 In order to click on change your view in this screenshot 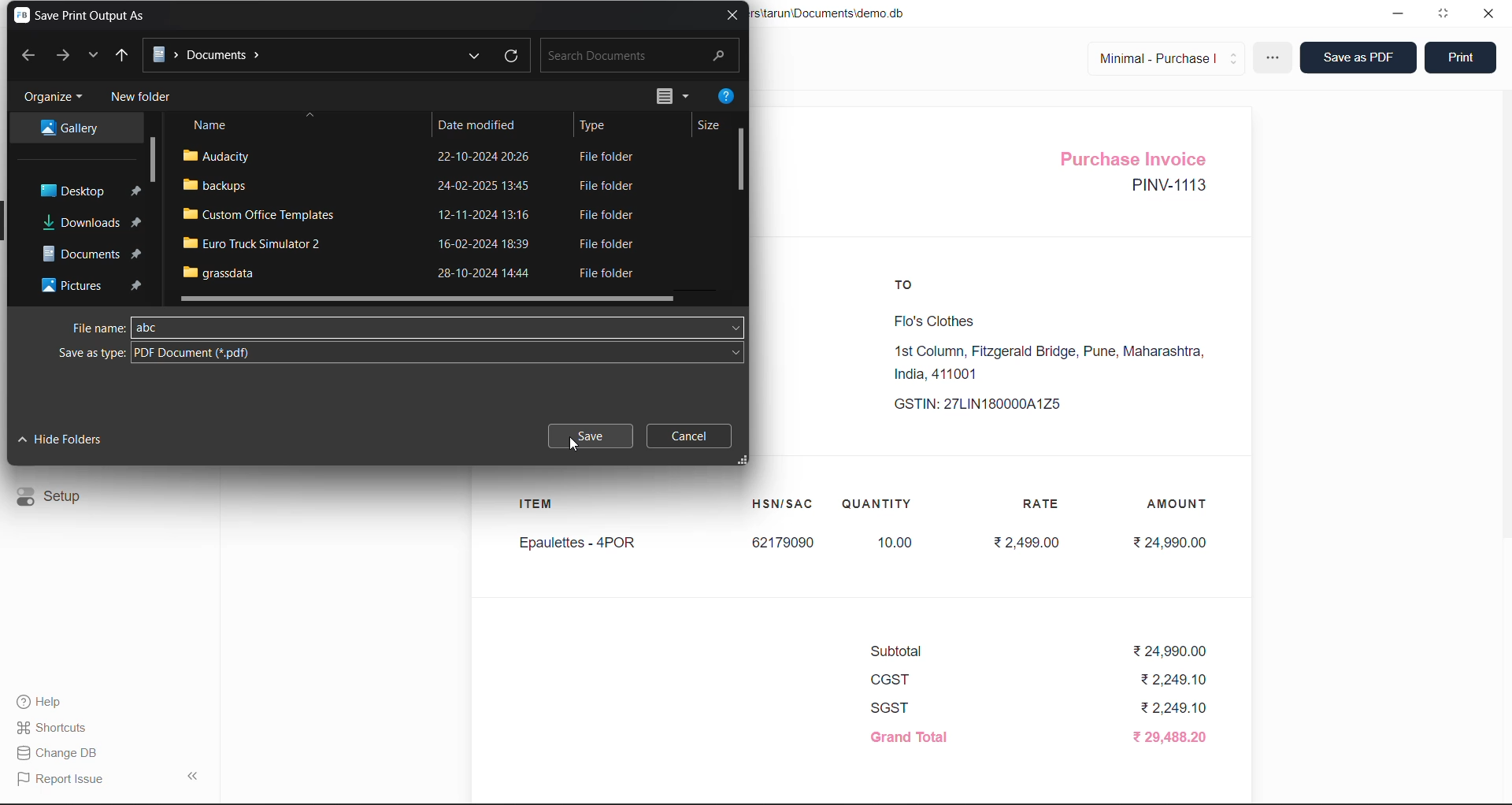, I will do `click(674, 98)`.